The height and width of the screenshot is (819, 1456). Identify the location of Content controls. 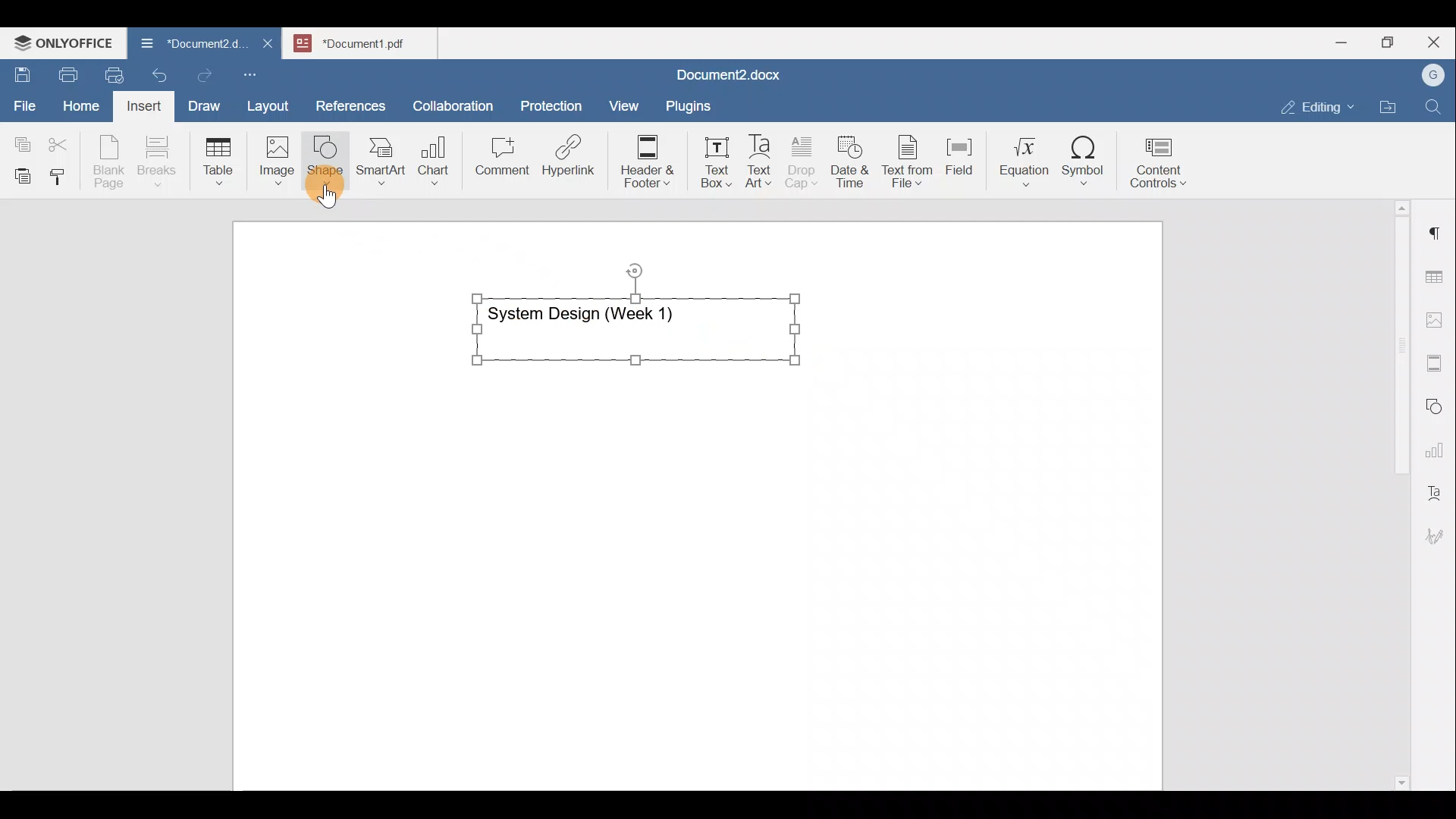
(1161, 168).